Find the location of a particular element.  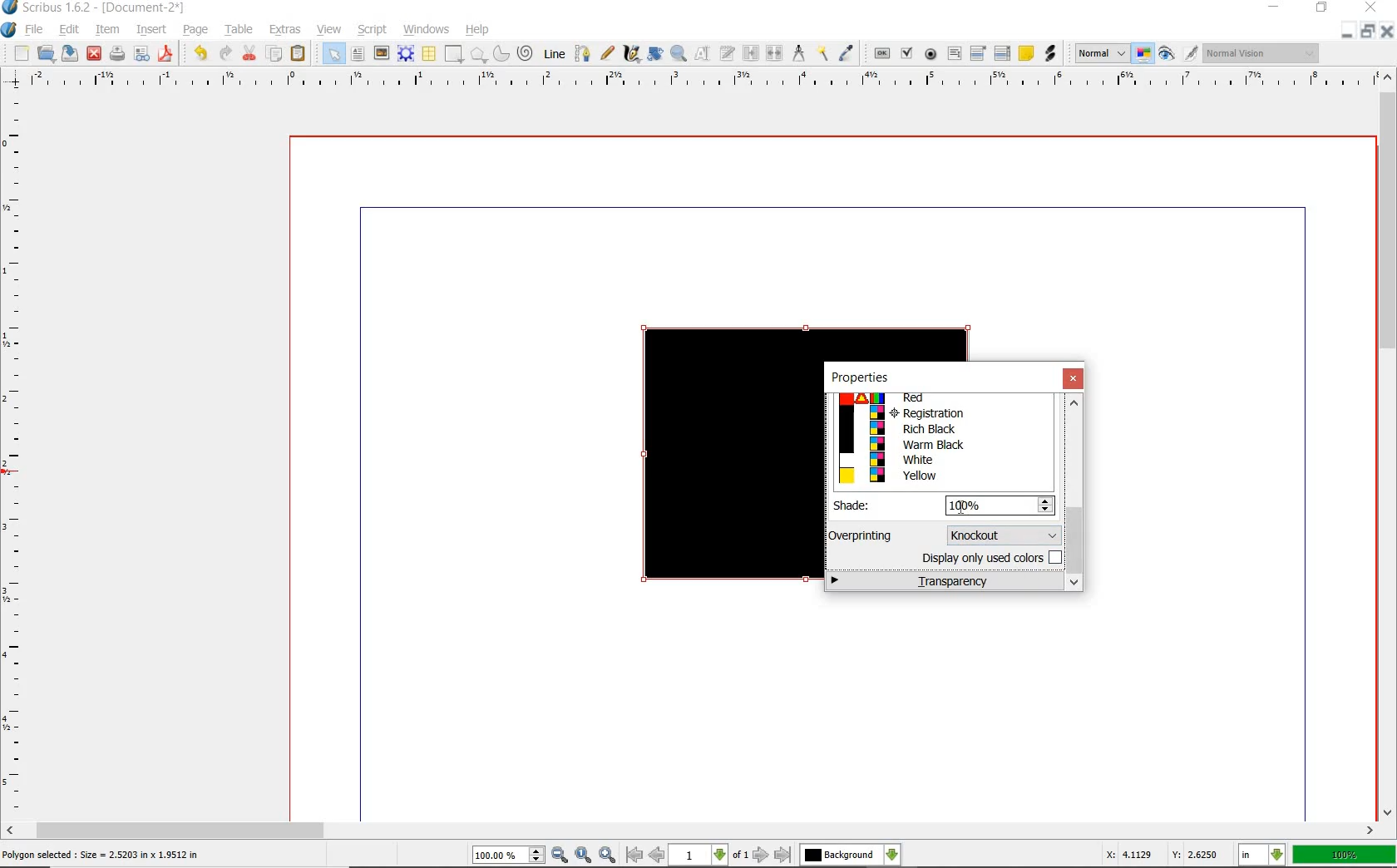

preflight verifier is located at coordinates (142, 54).